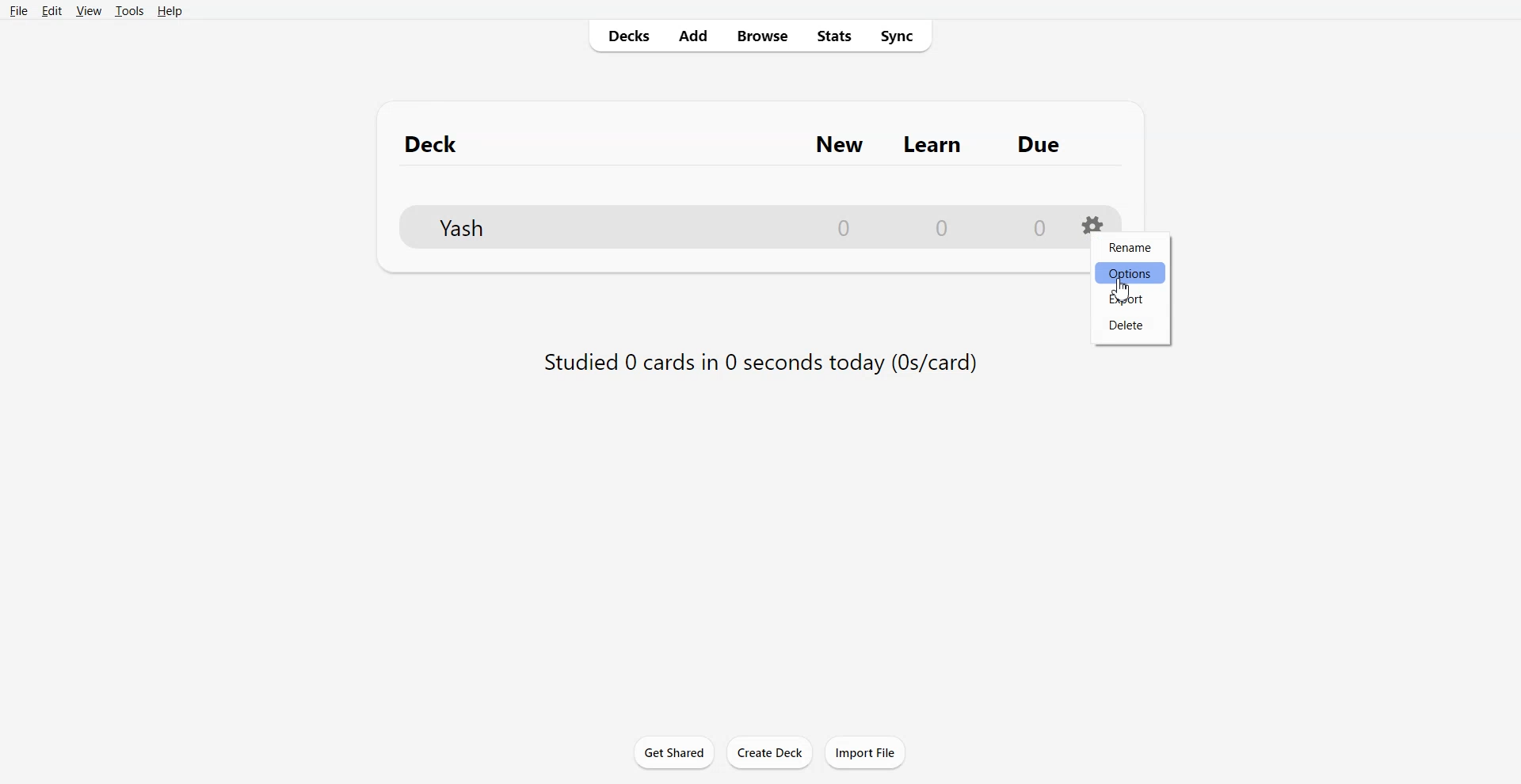 The height and width of the screenshot is (784, 1521). Describe the element at coordinates (899, 36) in the screenshot. I see `Sync` at that location.